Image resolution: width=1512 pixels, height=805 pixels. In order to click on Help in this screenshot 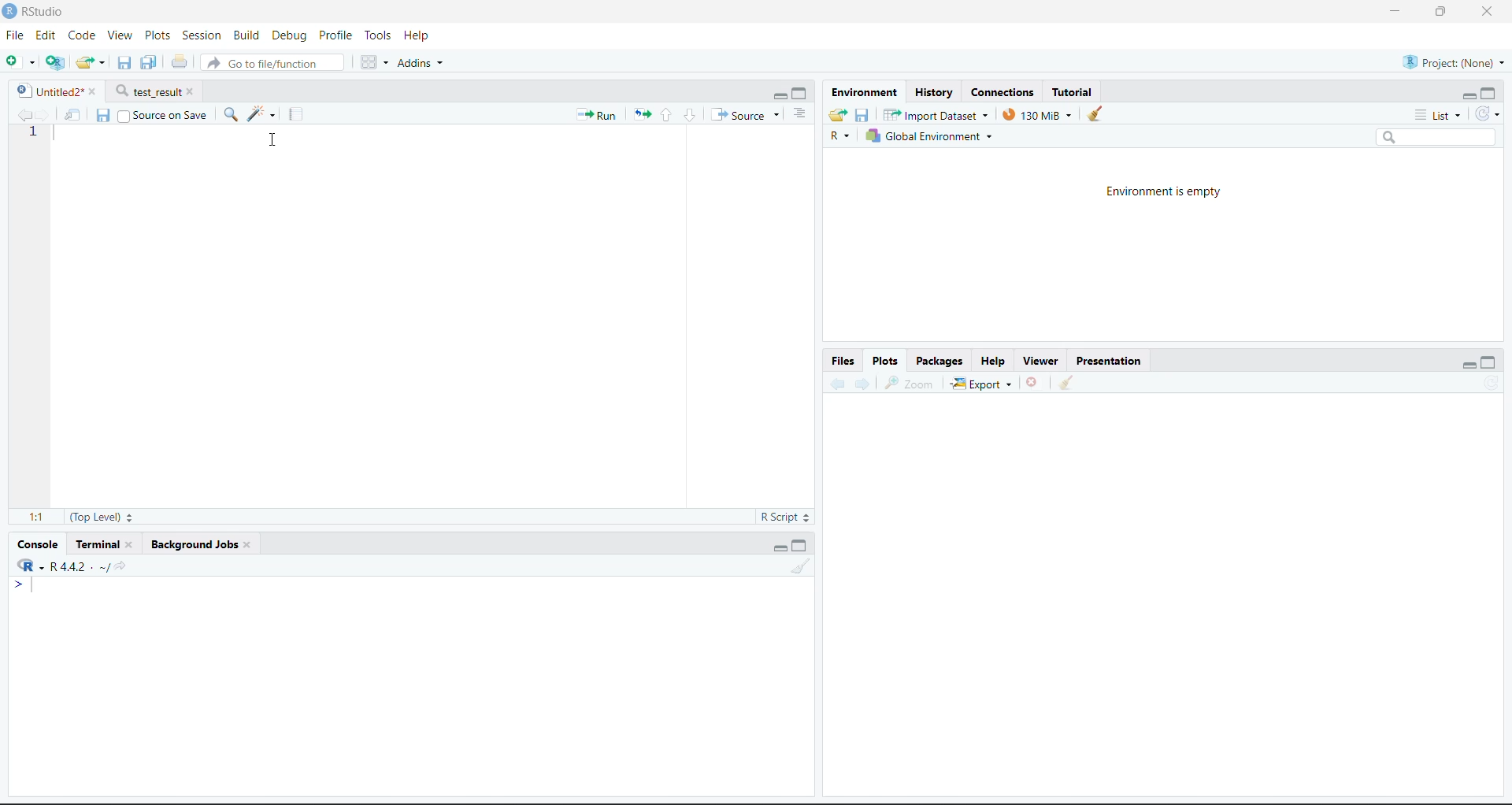, I will do `click(994, 359)`.